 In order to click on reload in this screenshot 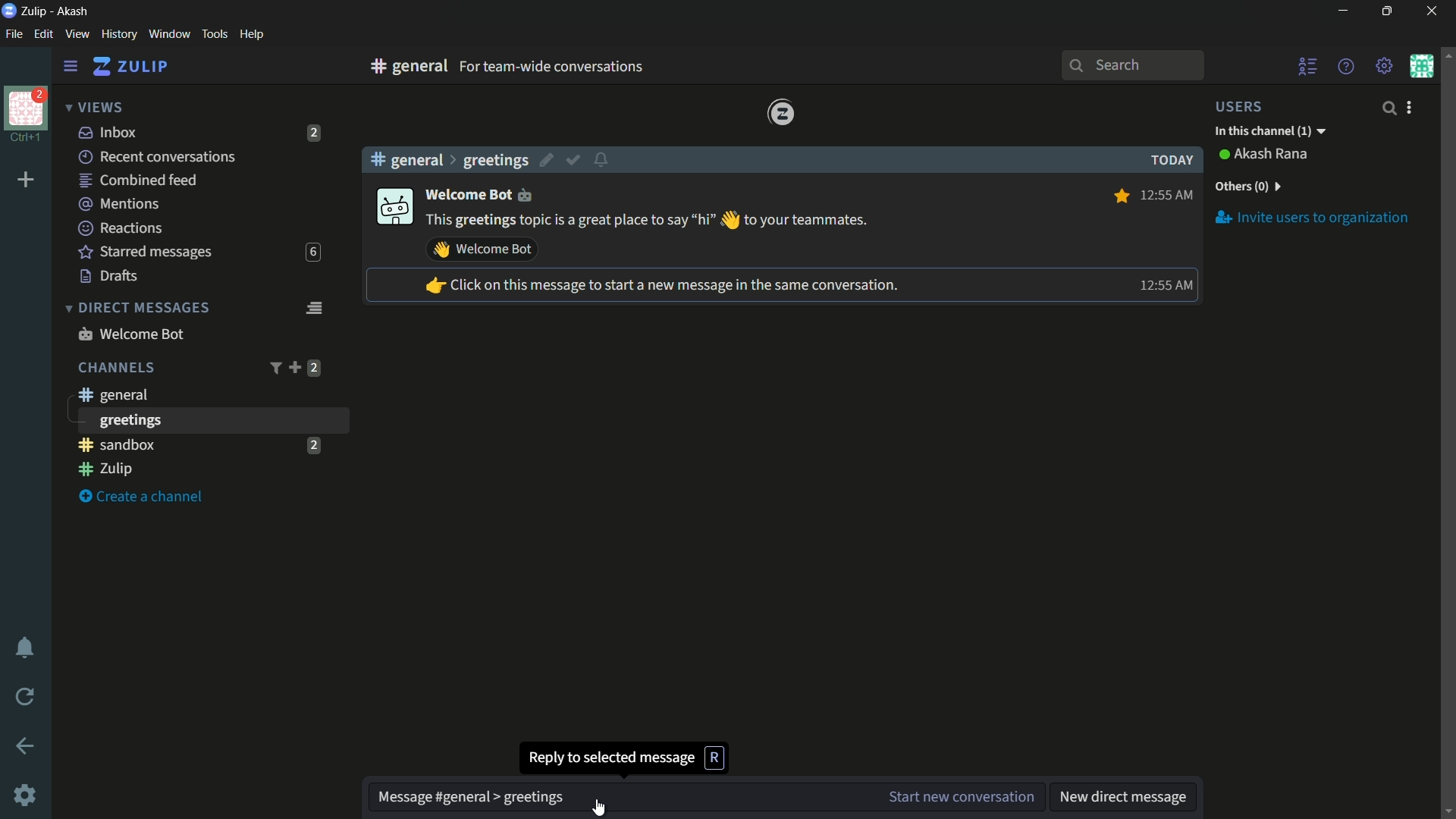, I will do `click(26, 696)`.